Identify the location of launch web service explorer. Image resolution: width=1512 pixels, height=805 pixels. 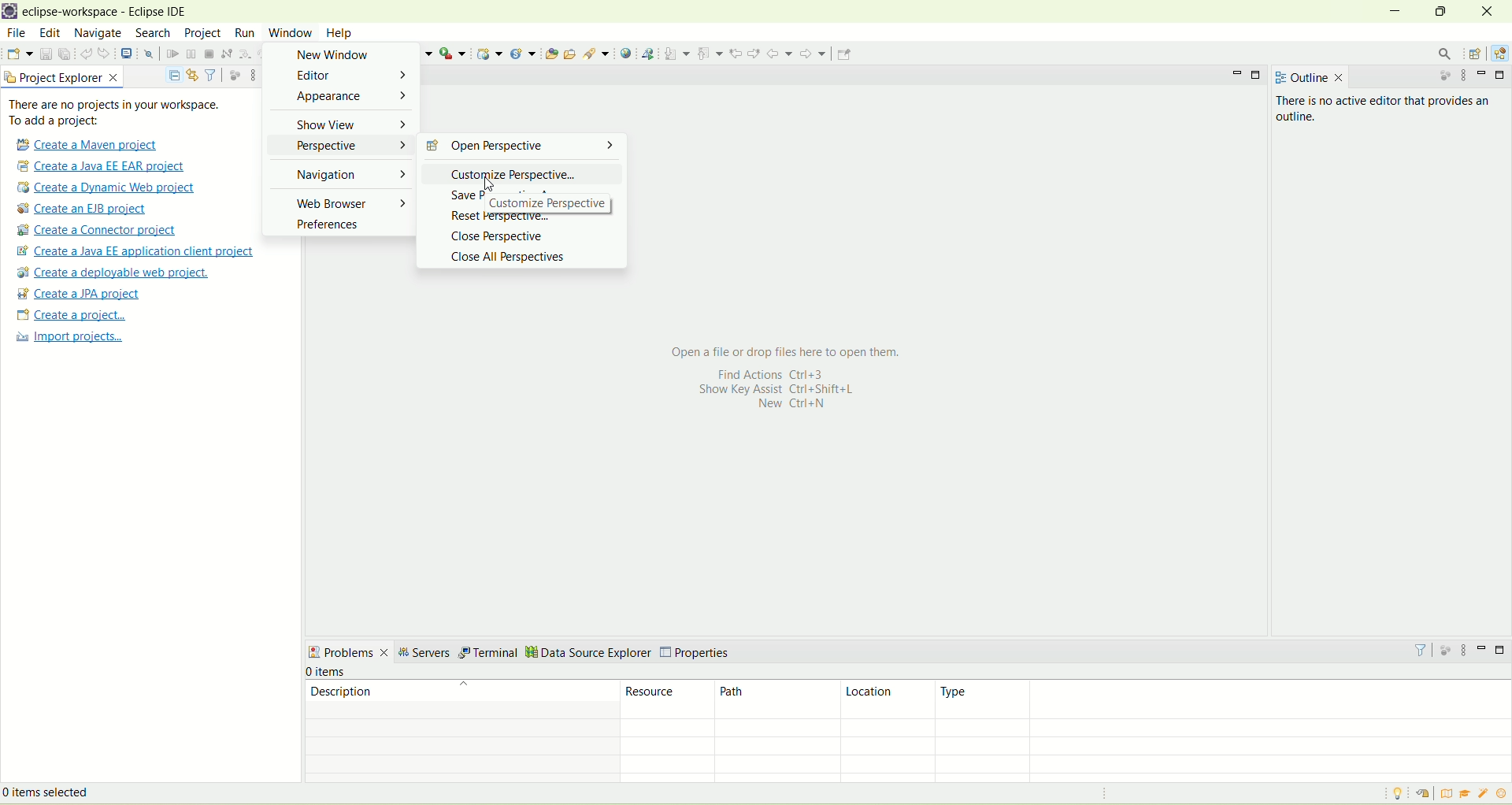
(647, 54).